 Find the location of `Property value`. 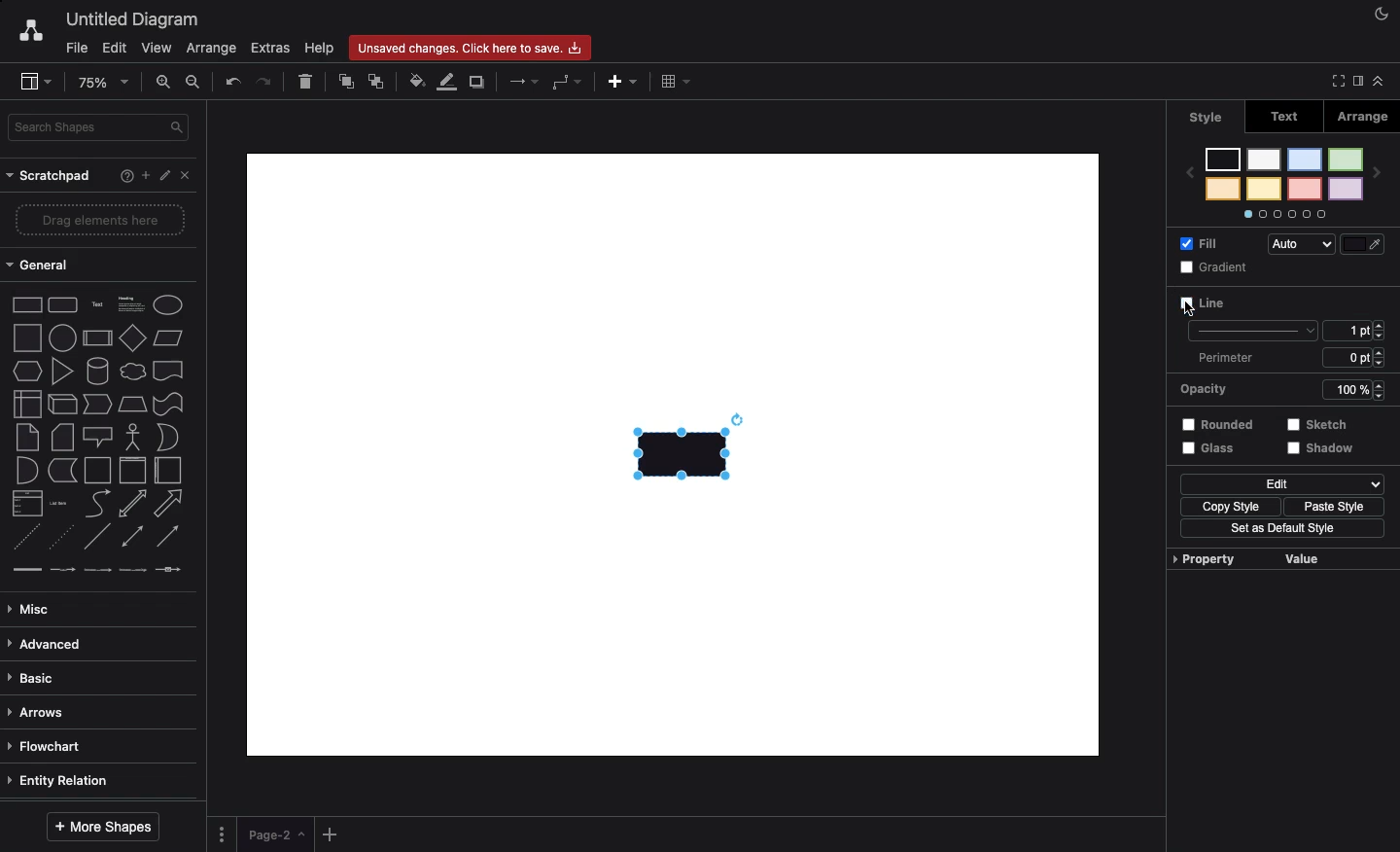

Property value is located at coordinates (1248, 559).